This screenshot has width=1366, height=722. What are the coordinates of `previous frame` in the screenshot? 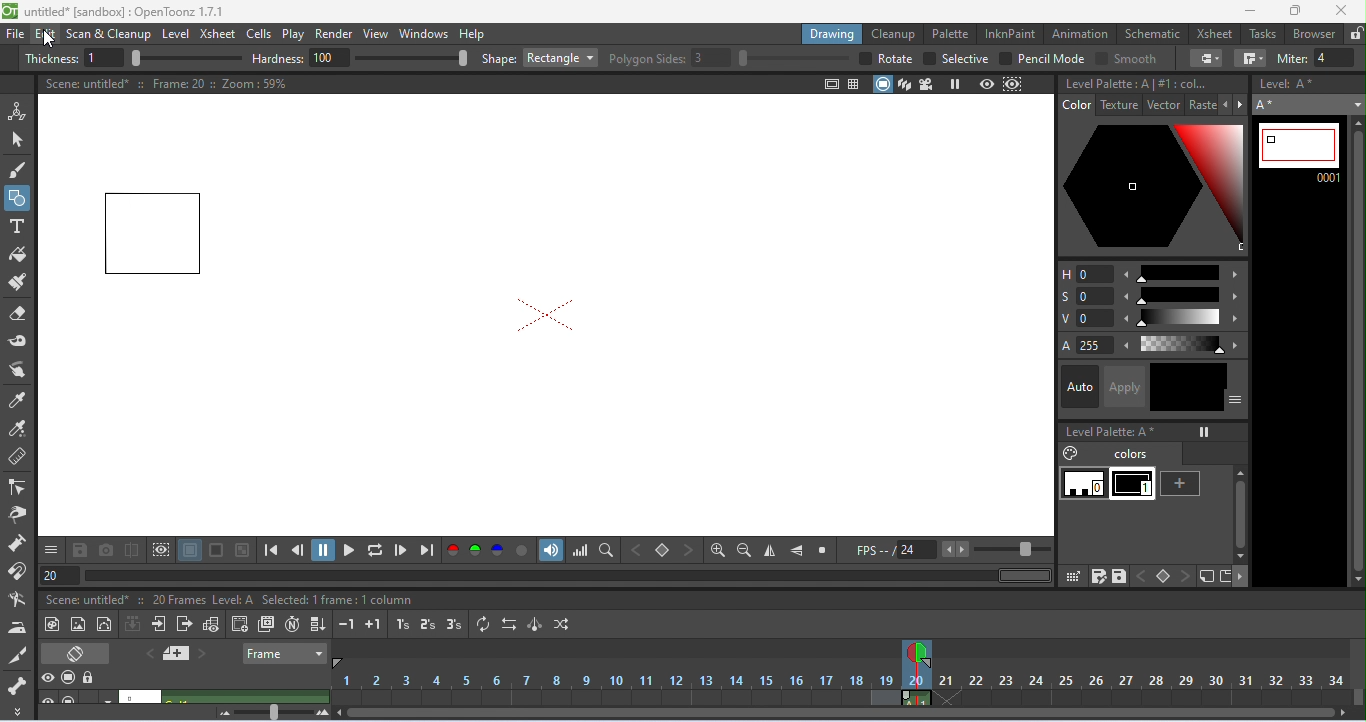 It's located at (296, 551).